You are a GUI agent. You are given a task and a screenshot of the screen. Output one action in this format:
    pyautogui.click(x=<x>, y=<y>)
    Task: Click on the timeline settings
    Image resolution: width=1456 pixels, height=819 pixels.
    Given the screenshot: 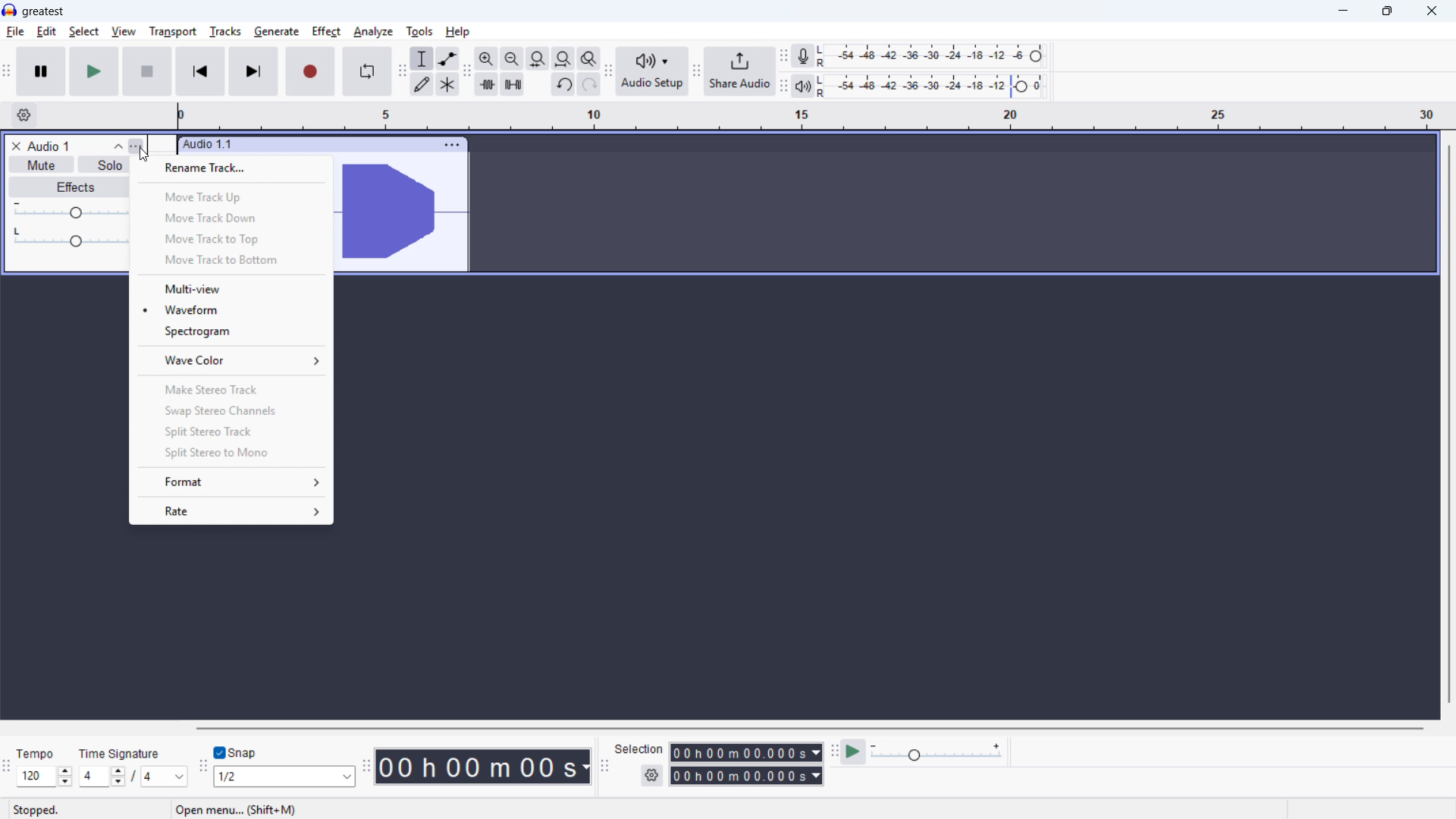 What is the action you would take?
    pyautogui.click(x=24, y=115)
    